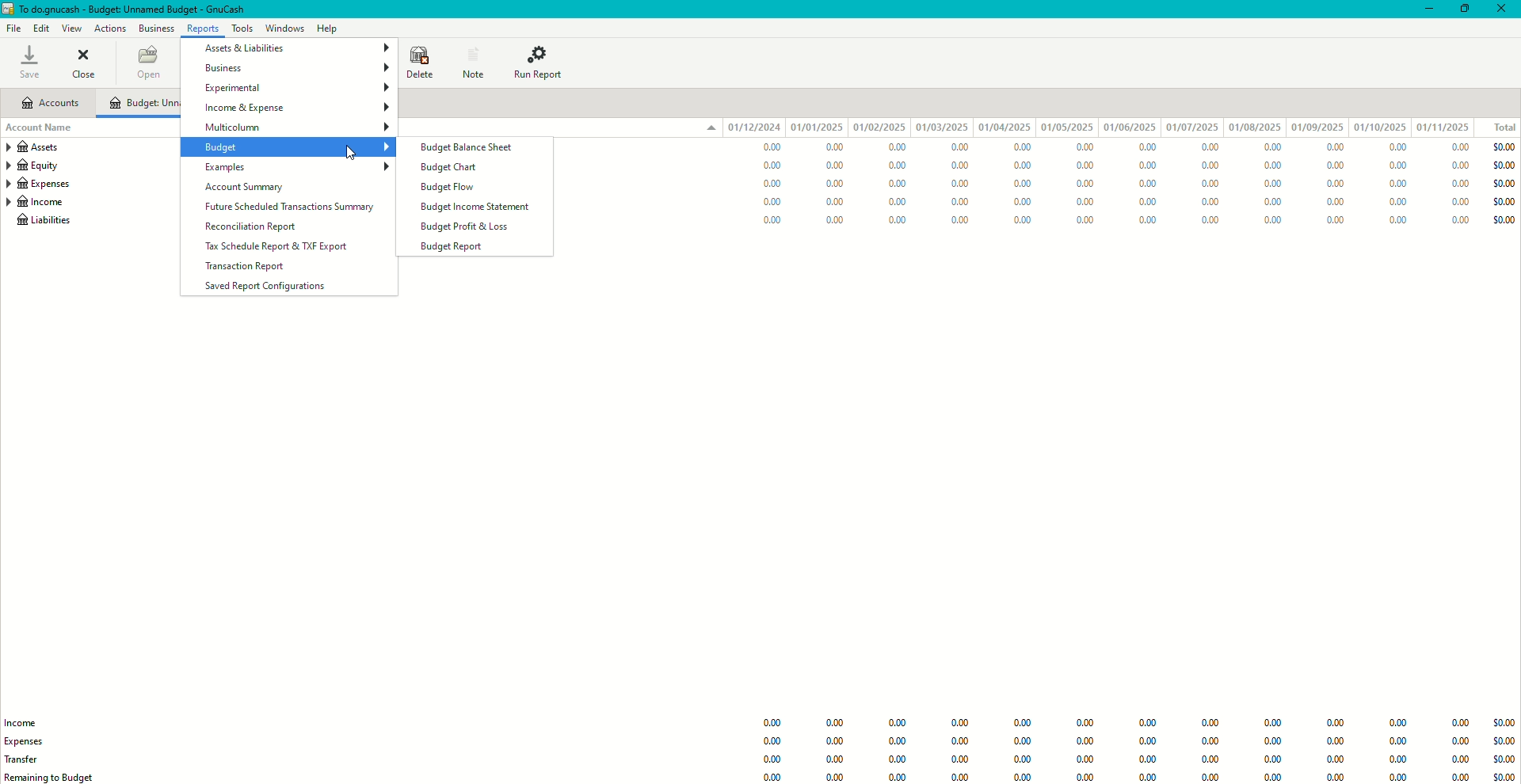  Describe the element at coordinates (1273, 741) in the screenshot. I see `0.00` at that location.